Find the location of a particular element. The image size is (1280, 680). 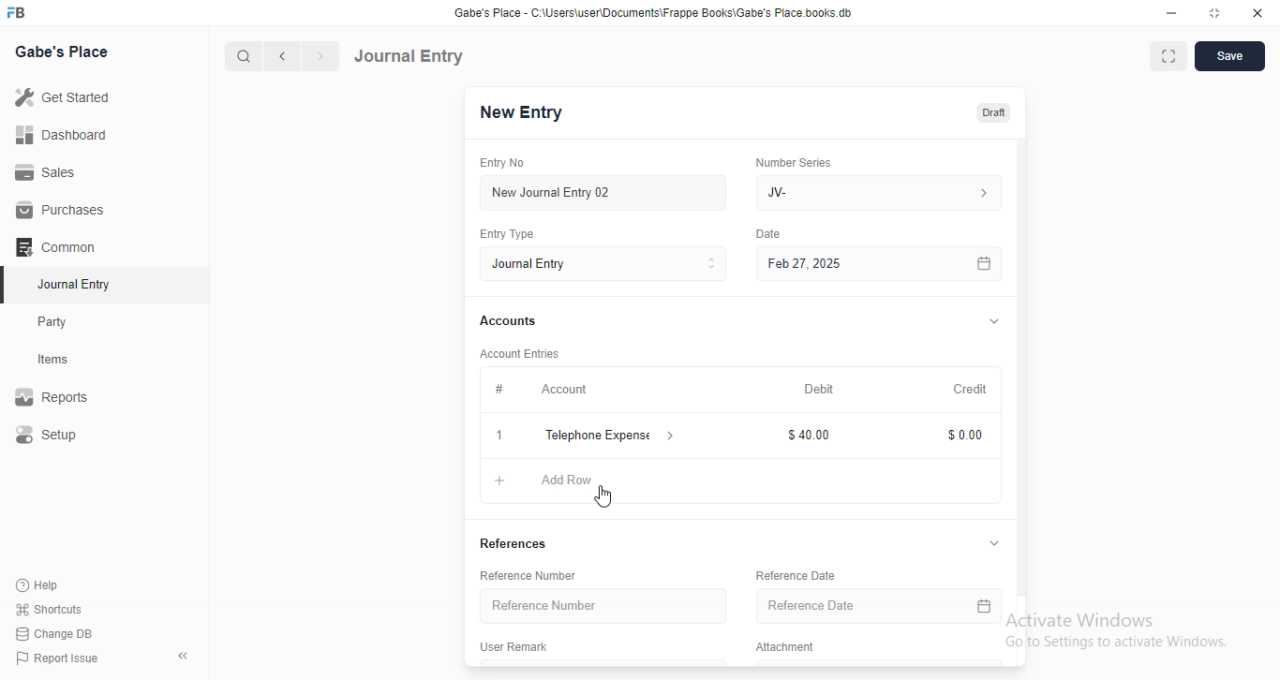

Reference Date. is located at coordinates (877, 608).